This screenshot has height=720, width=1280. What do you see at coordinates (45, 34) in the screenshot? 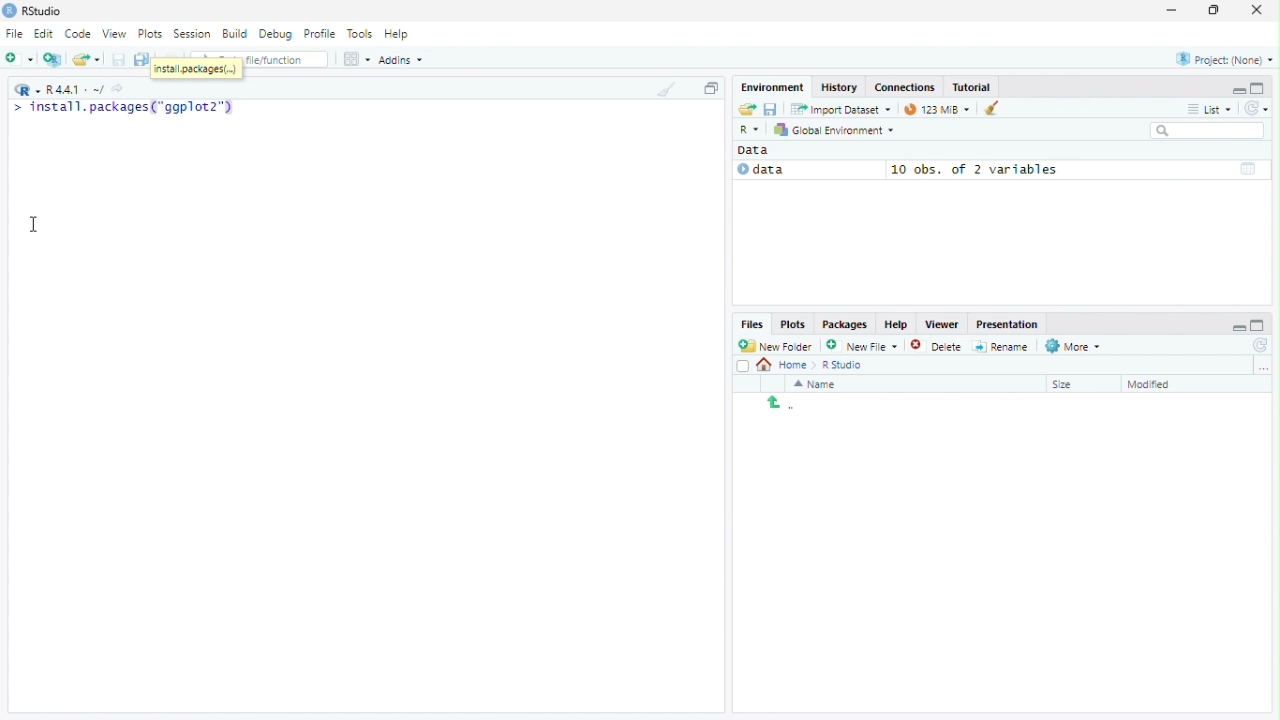
I see `Edit` at bounding box center [45, 34].